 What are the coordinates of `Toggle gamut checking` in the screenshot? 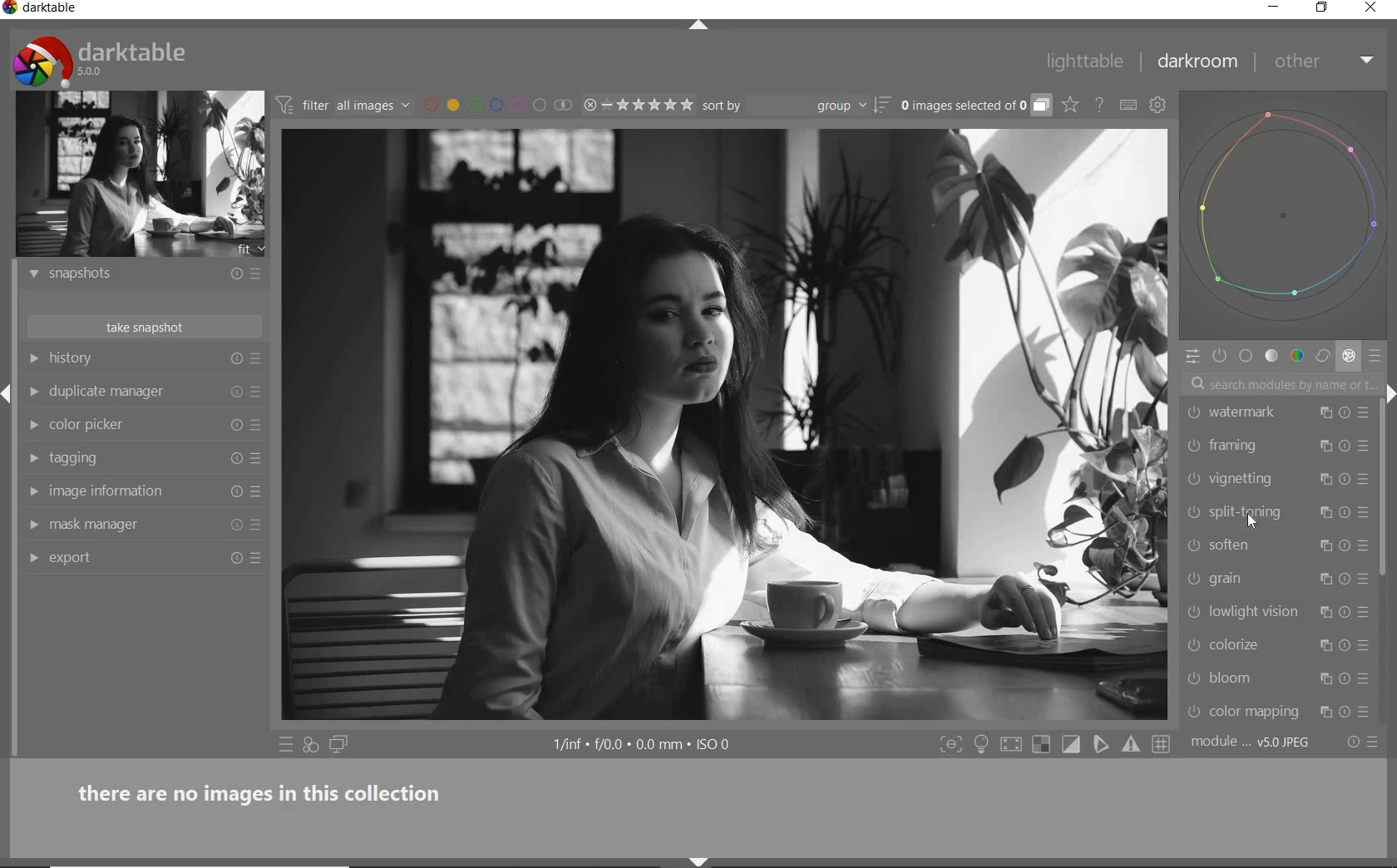 It's located at (1130, 745).